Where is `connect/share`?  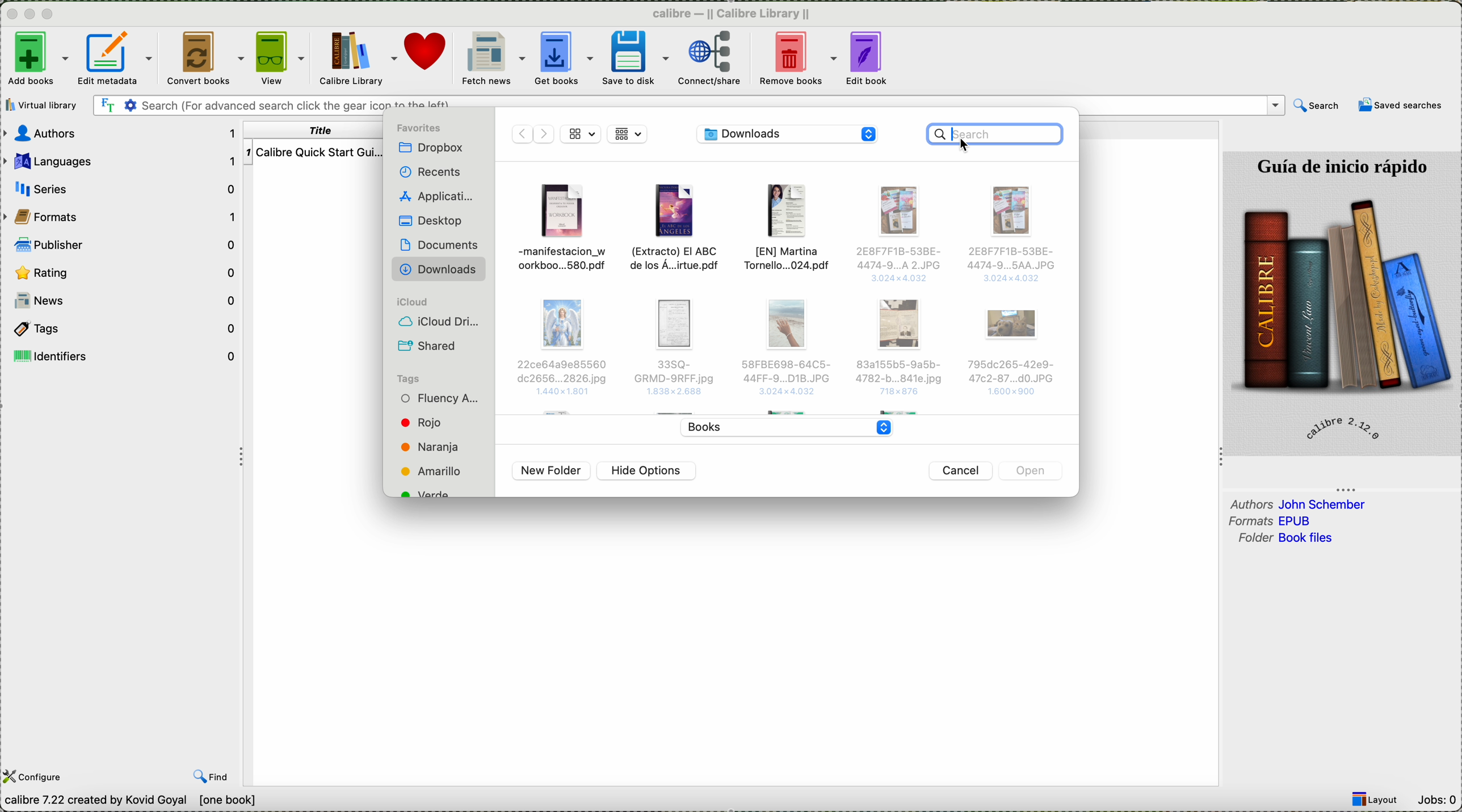 connect/share is located at coordinates (711, 58).